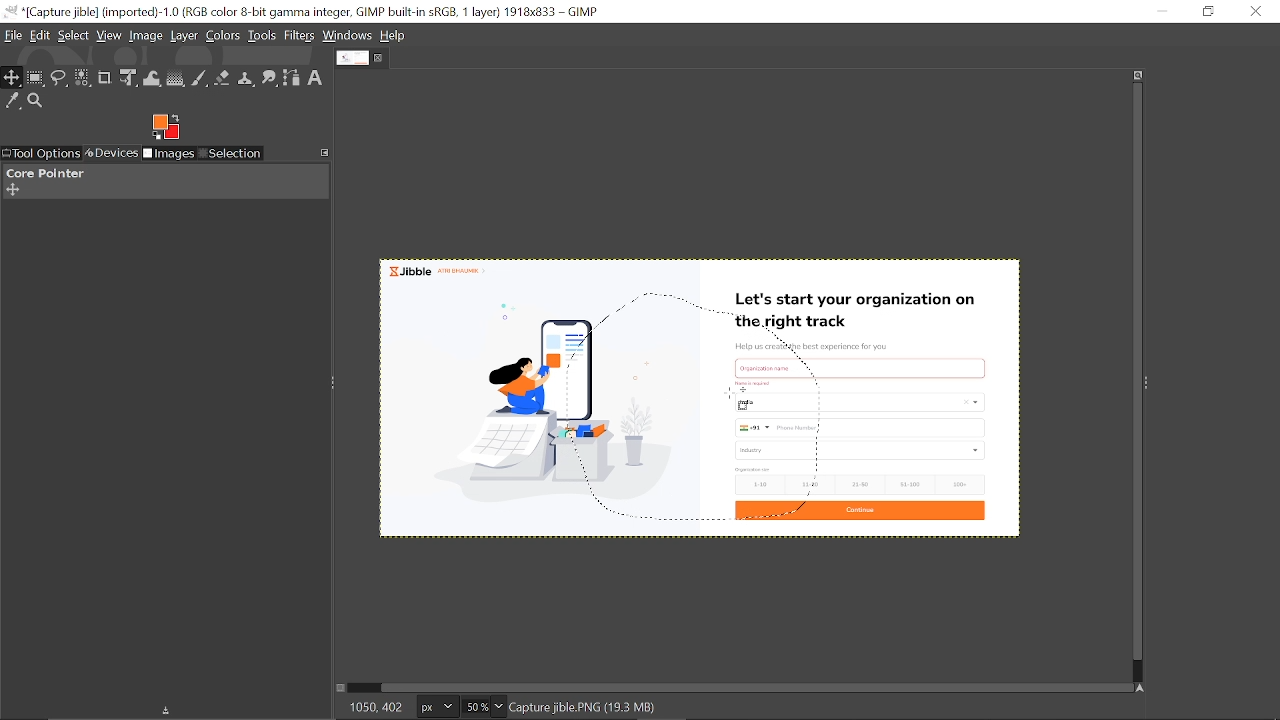 The height and width of the screenshot is (720, 1280). What do you see at coordinates (757, 383) in the screenshot?
I see `` at bounding box center [757, 383].